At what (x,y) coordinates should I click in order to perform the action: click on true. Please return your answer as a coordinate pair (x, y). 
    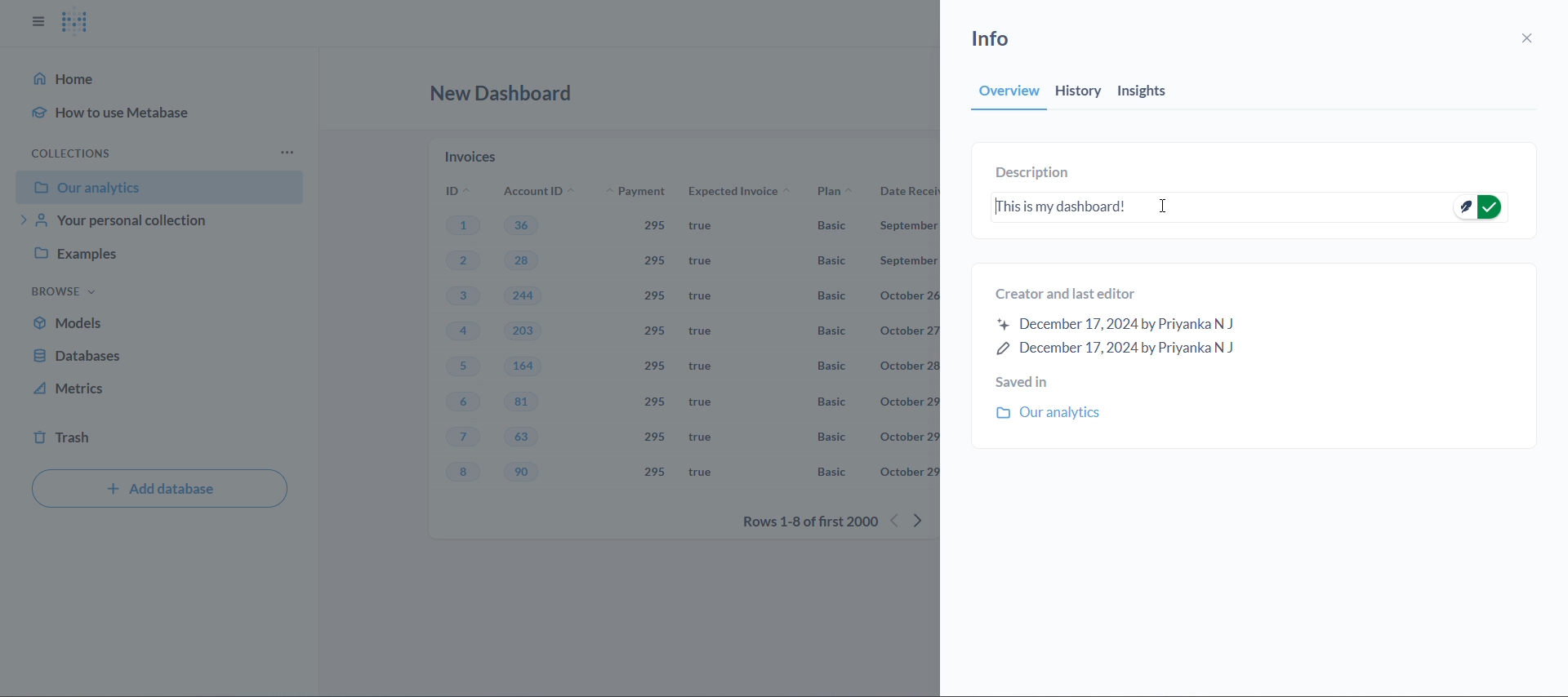
    Looking at the image, I should click on (698, 471).